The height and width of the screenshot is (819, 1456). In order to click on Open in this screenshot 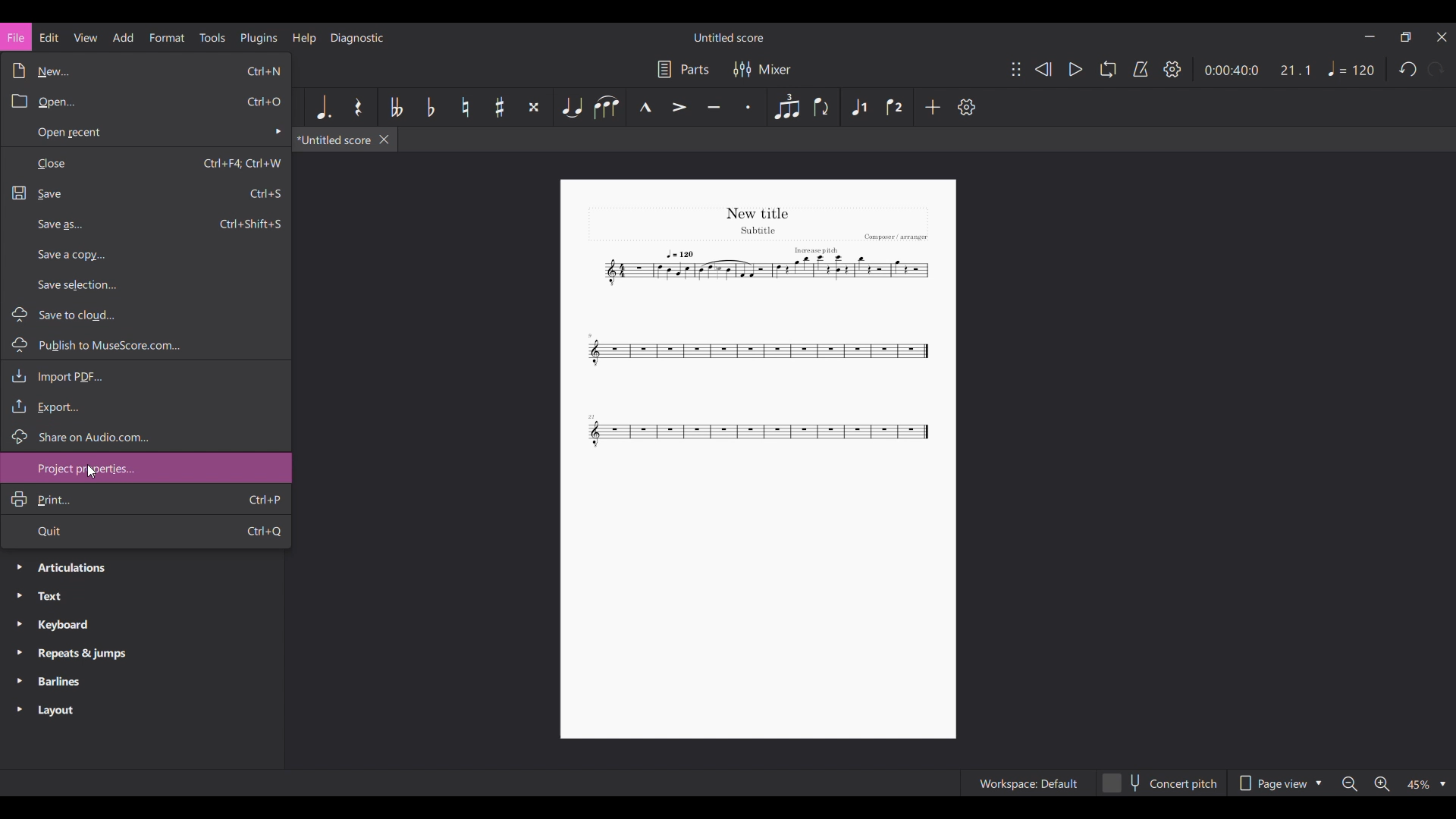, I will do `click(146, 100)`.